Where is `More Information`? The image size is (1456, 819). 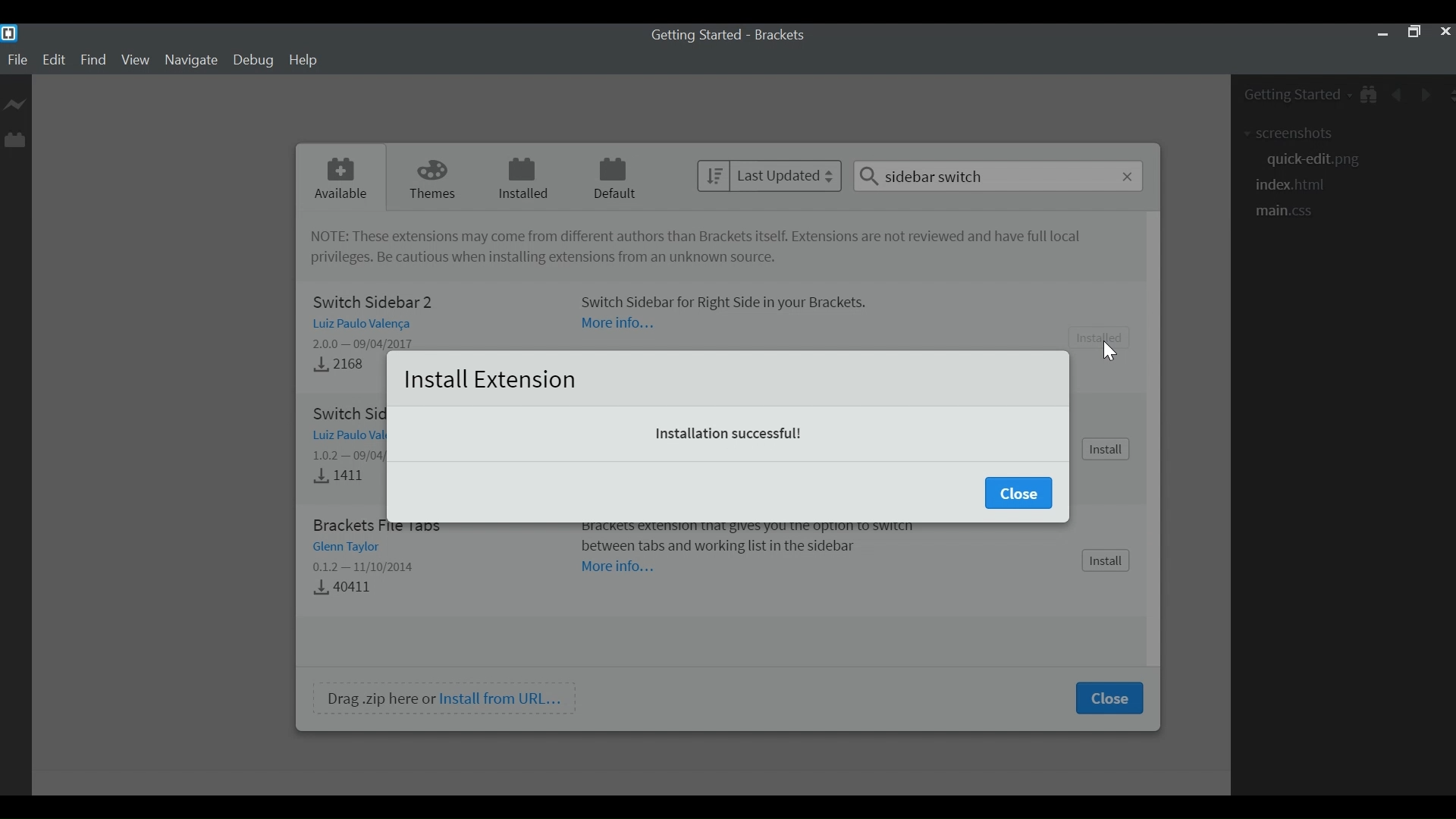
More Information is located at coordinates (618, 323).